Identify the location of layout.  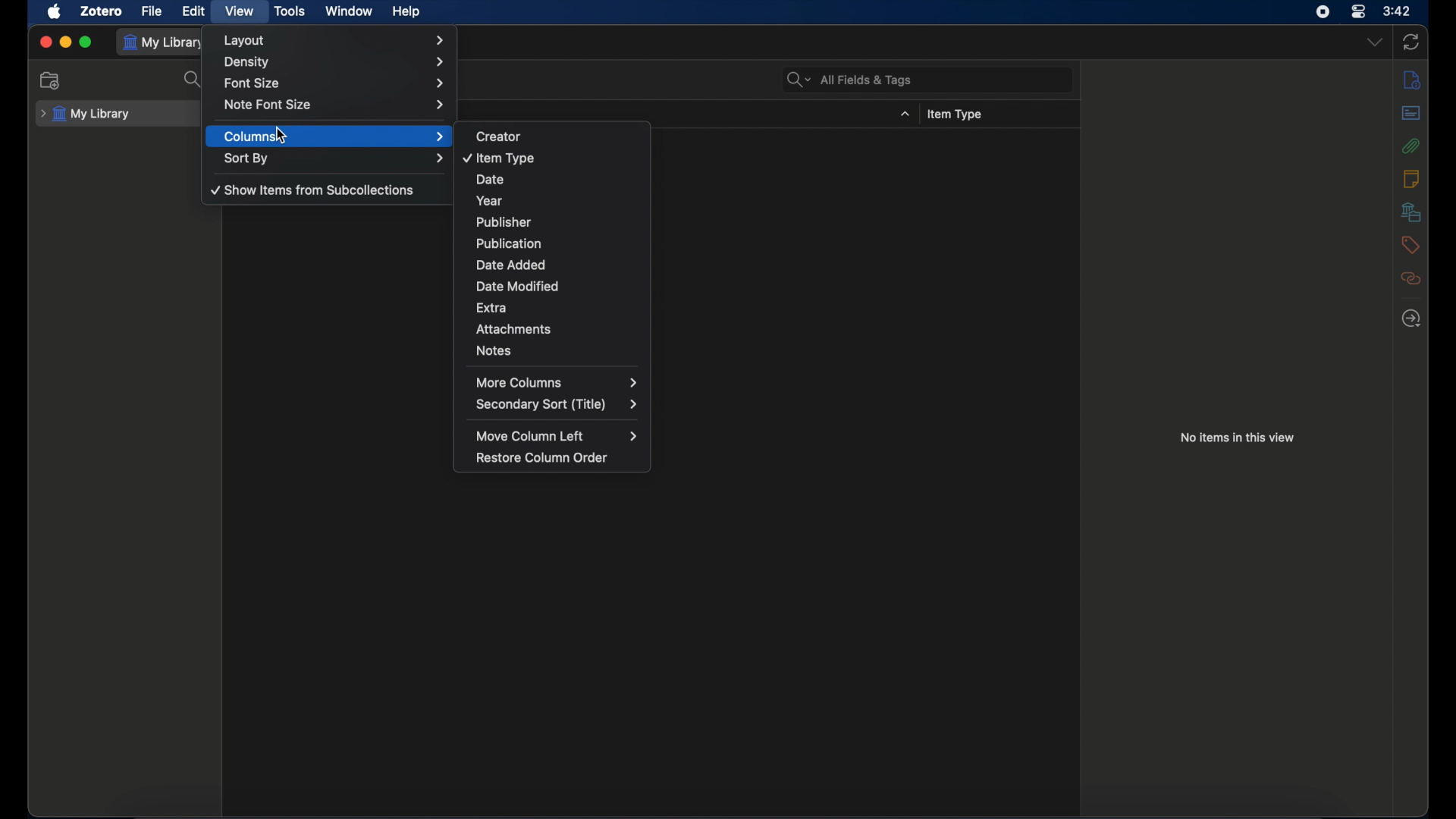
(334, 40).